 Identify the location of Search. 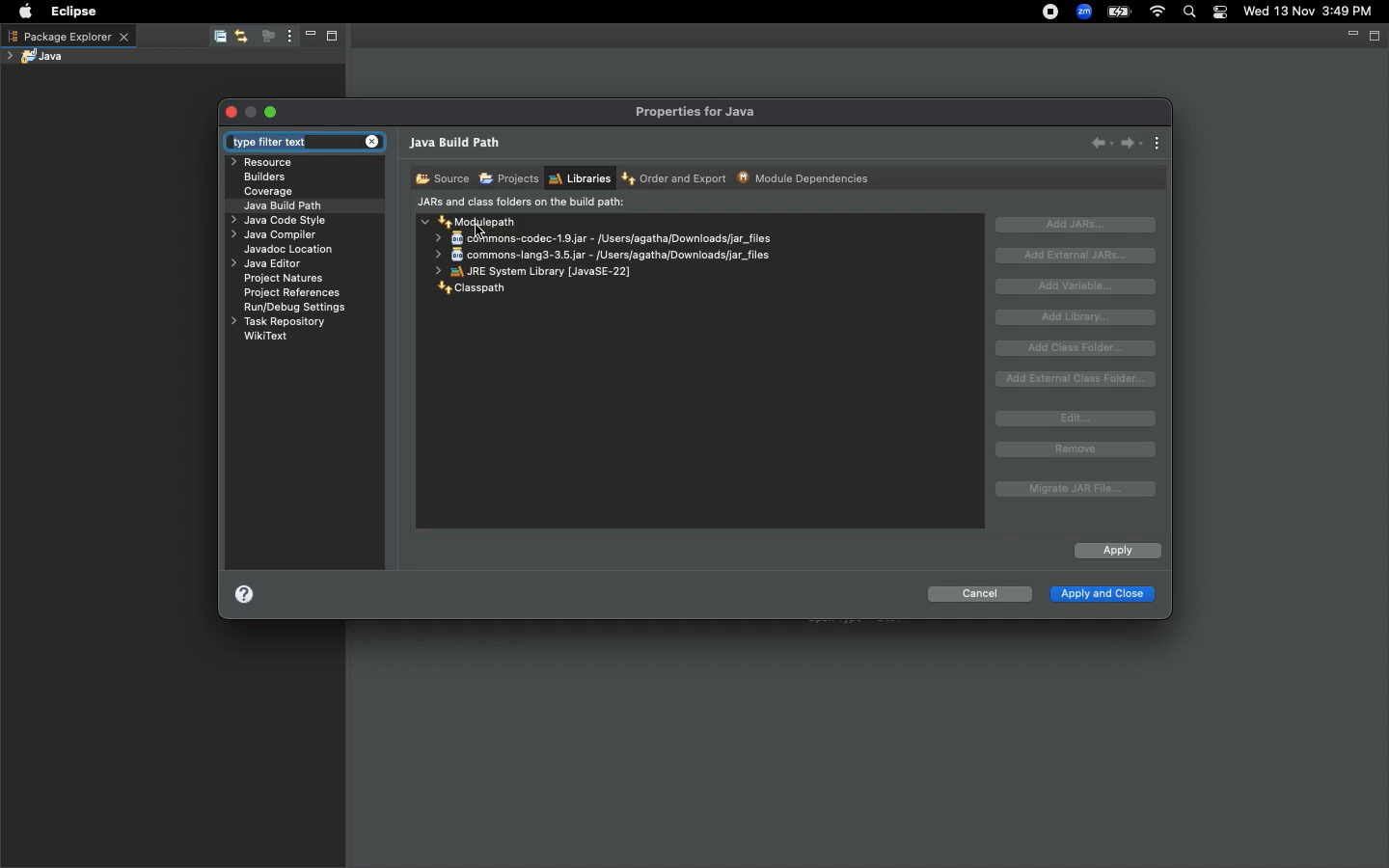
(1190, 14).